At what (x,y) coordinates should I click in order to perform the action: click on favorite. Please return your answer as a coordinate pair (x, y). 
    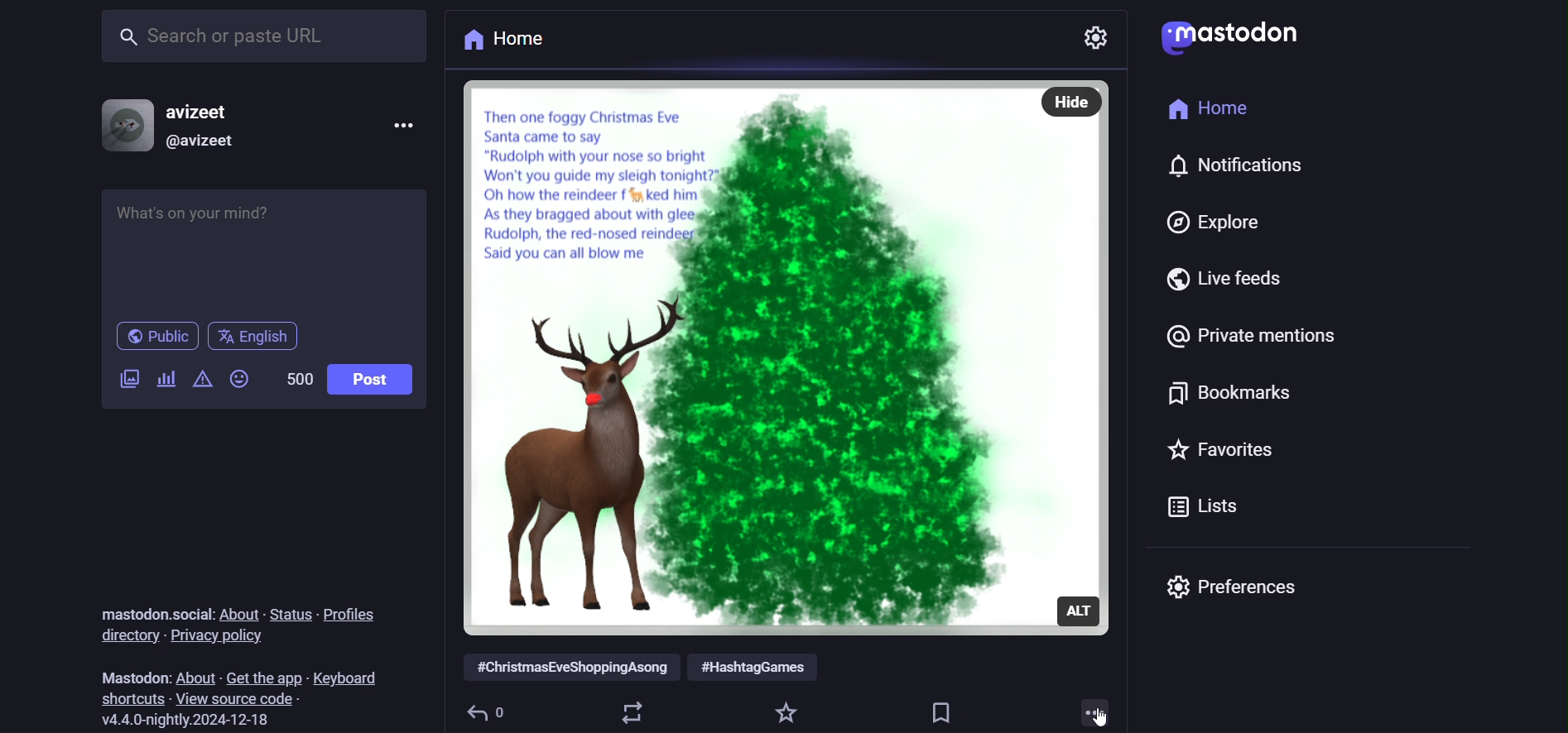
    Looking at the image, I should click on (788, 711).